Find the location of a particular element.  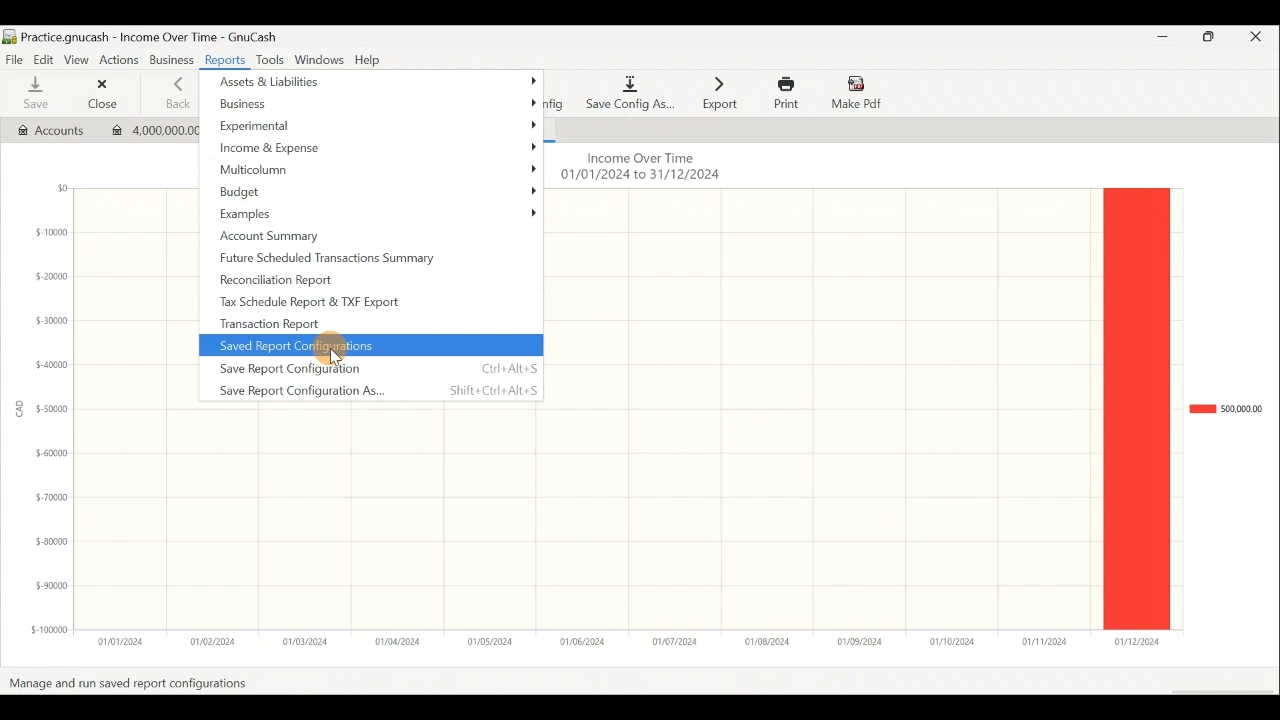

Print is located at coordinates (784, 93).